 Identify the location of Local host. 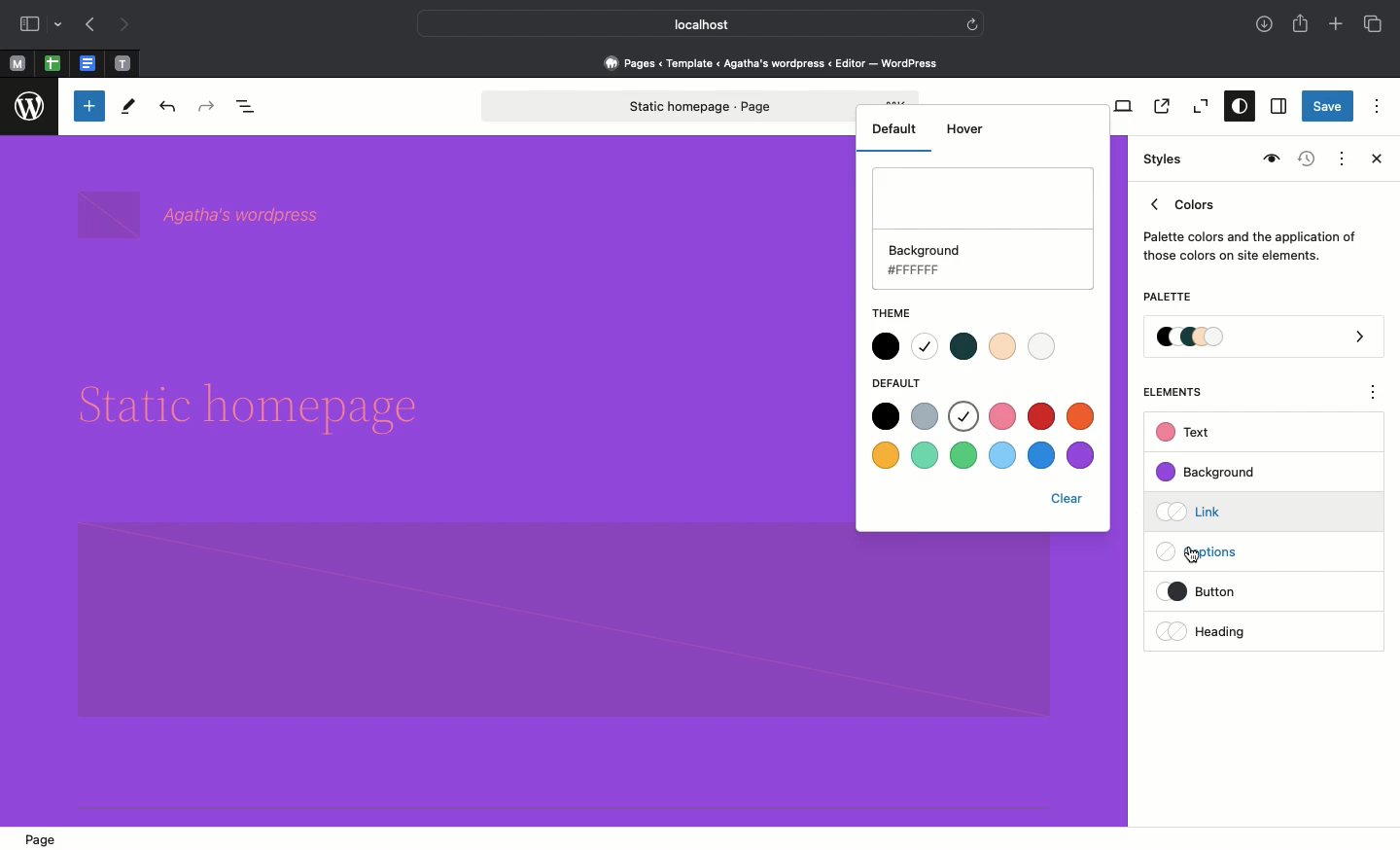
(686, 23).